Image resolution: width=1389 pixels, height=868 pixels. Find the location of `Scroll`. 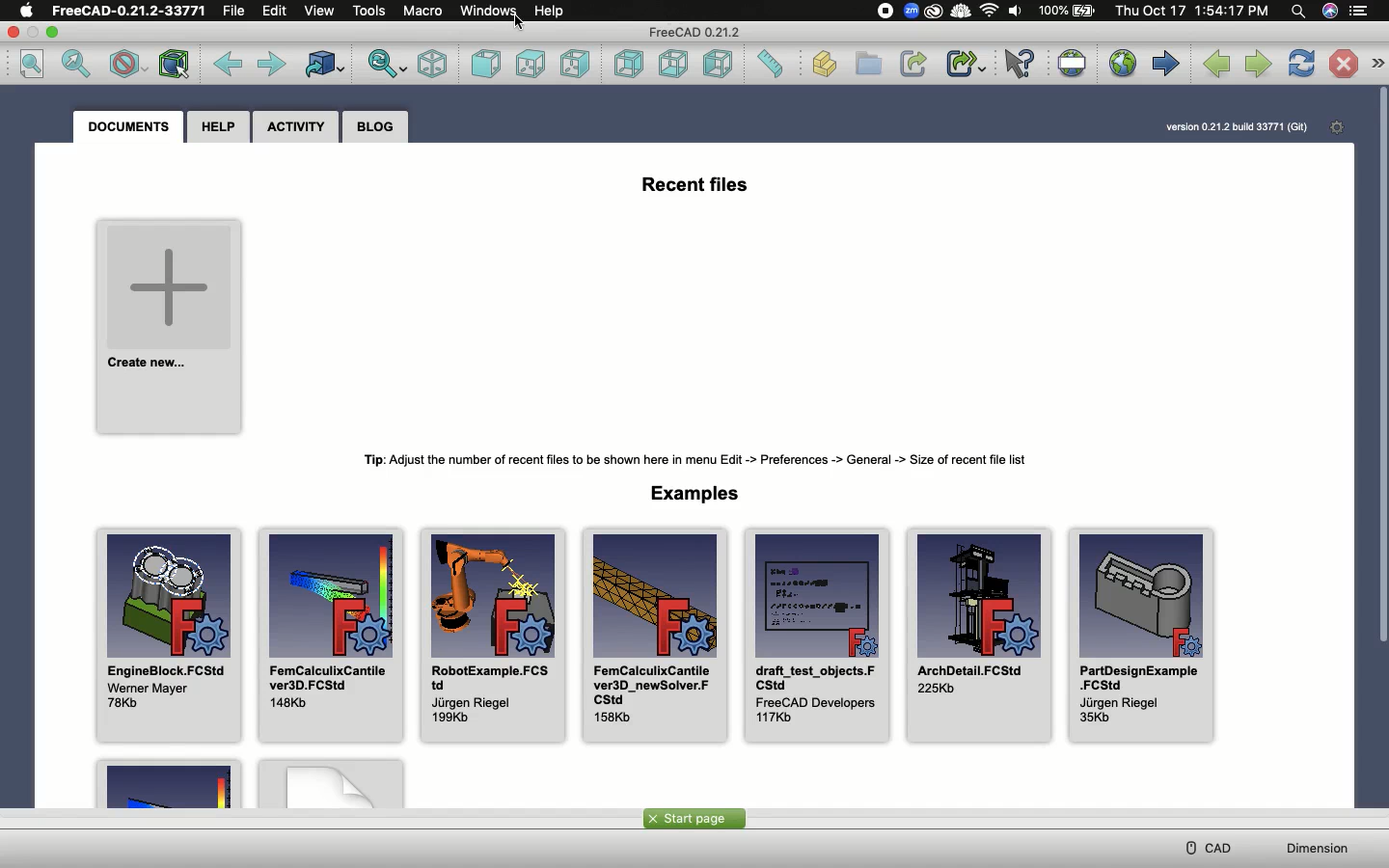

Scroll is located at coordinates (1380, 366).